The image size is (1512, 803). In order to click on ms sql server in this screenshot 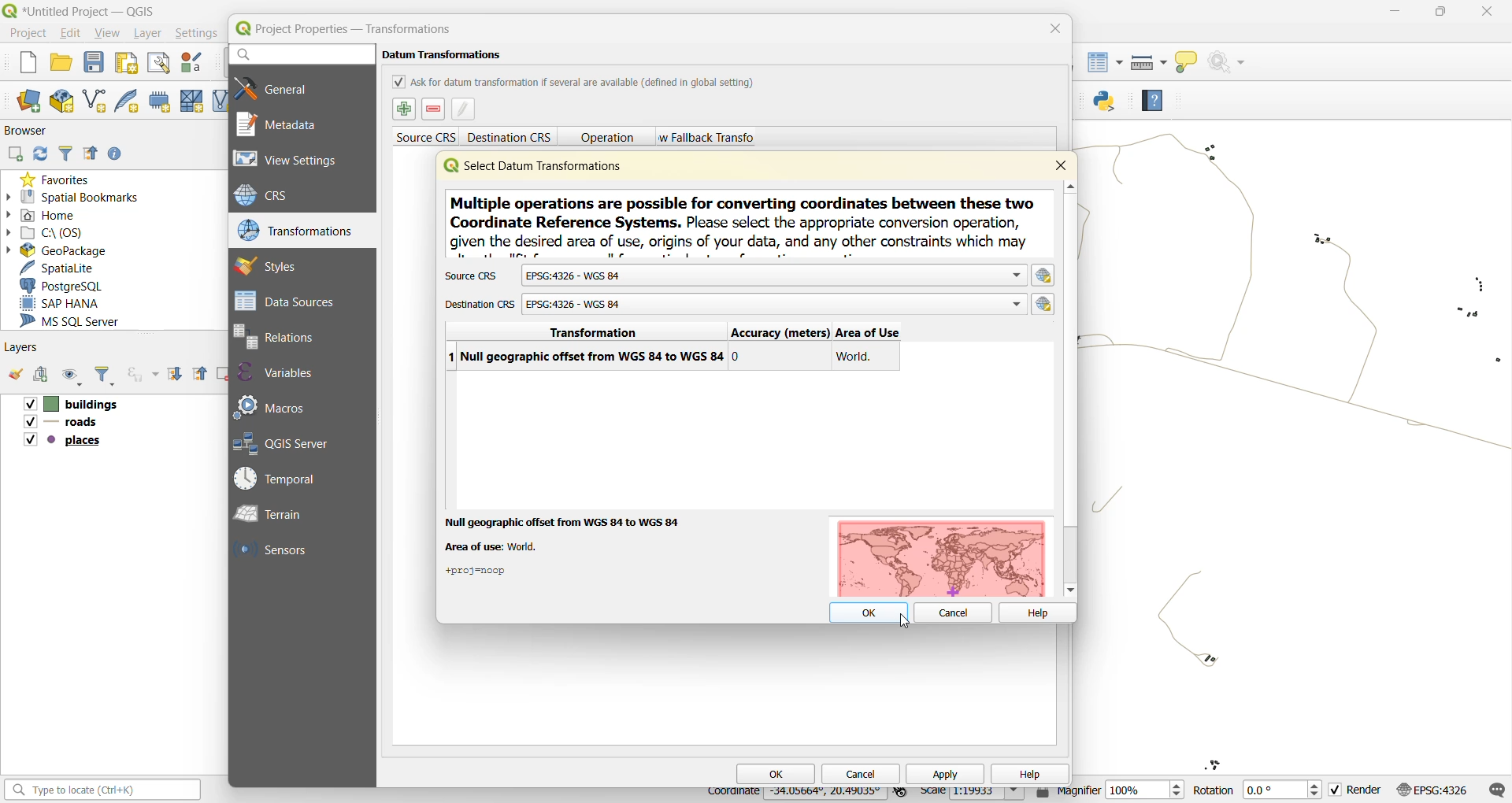, I will do `click(79, 320)`.